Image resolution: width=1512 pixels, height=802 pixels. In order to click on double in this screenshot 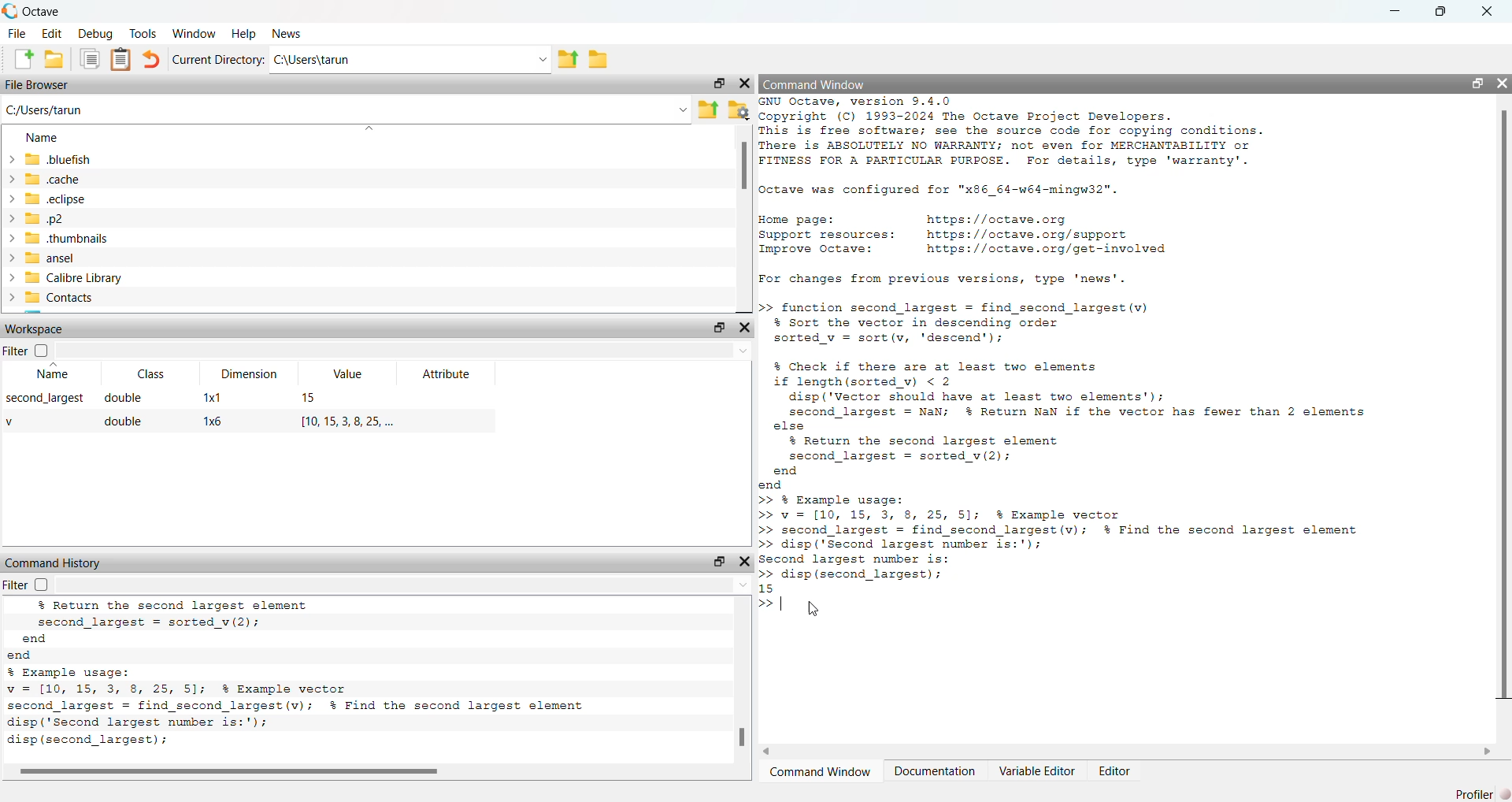, I will do `click(125, 421)`.